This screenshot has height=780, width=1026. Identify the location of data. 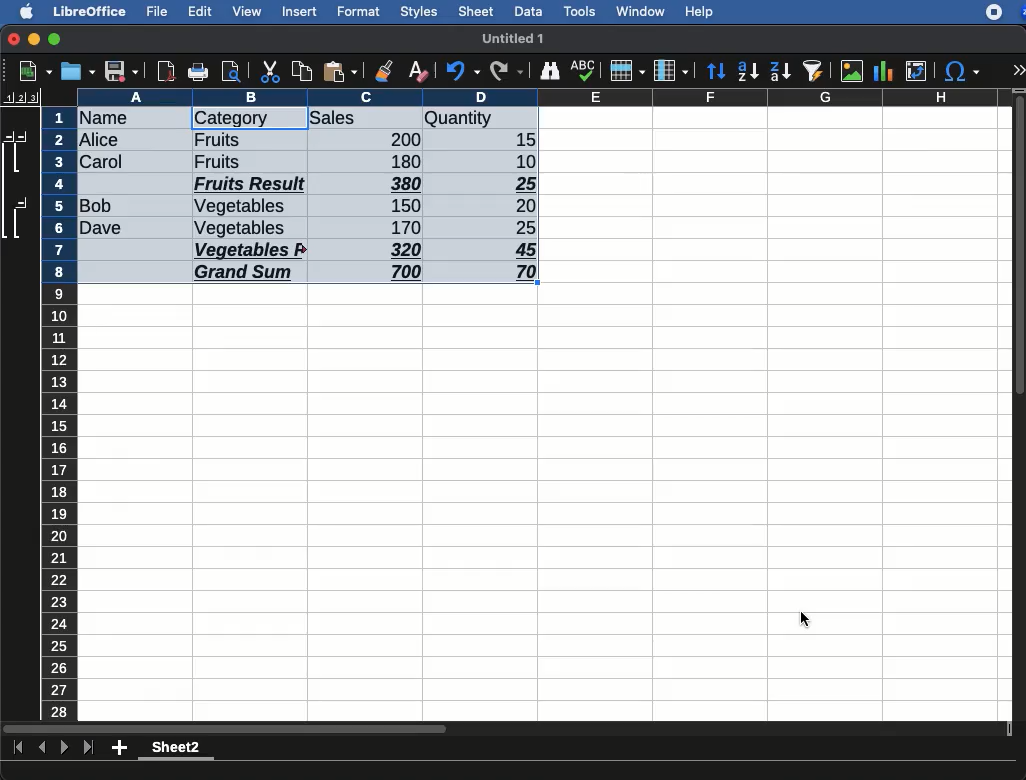
(528, 10).